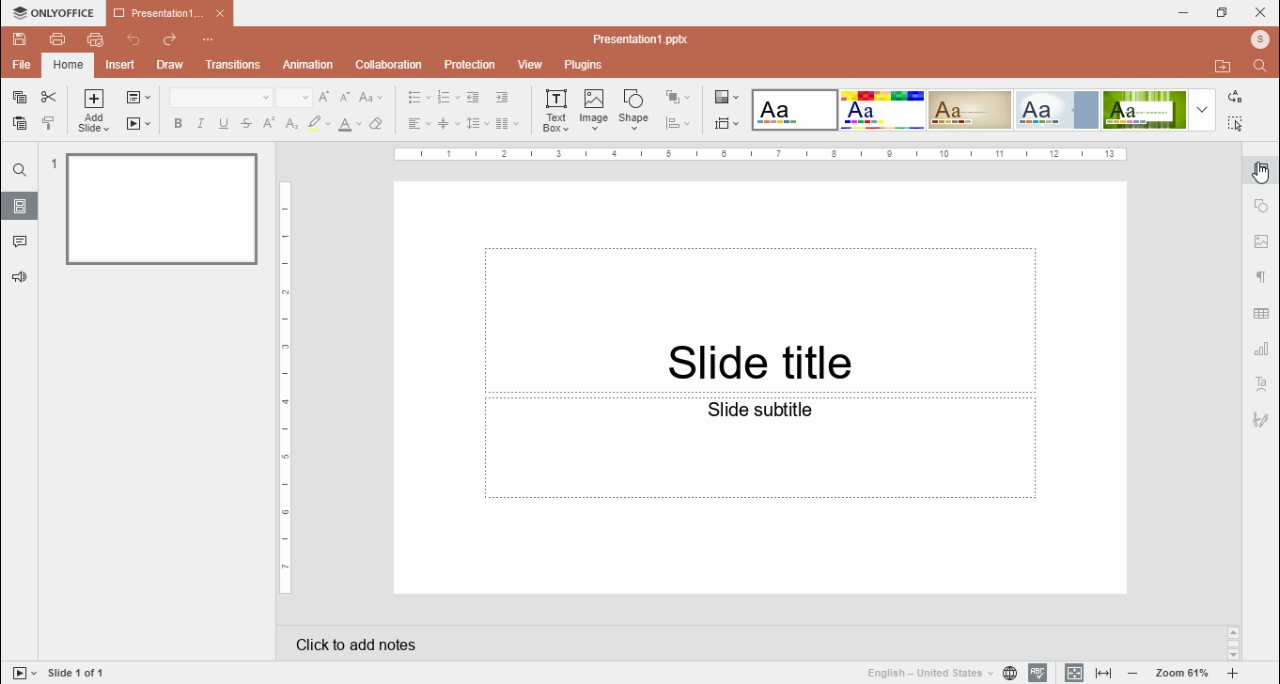  I want to click on open file location, so click(1224, 68).